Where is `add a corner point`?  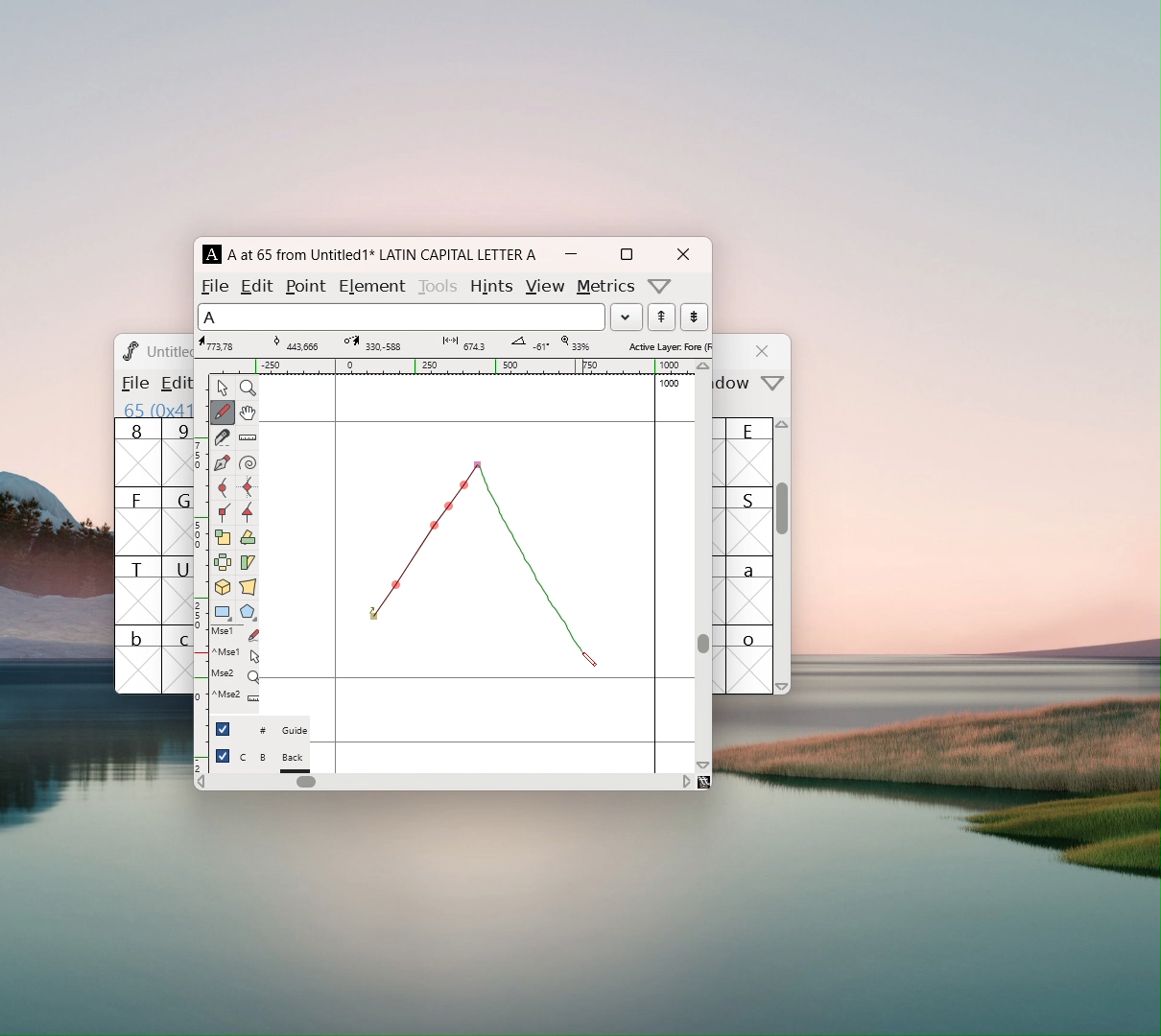
add a corner point is located at coordinates (222, 511).